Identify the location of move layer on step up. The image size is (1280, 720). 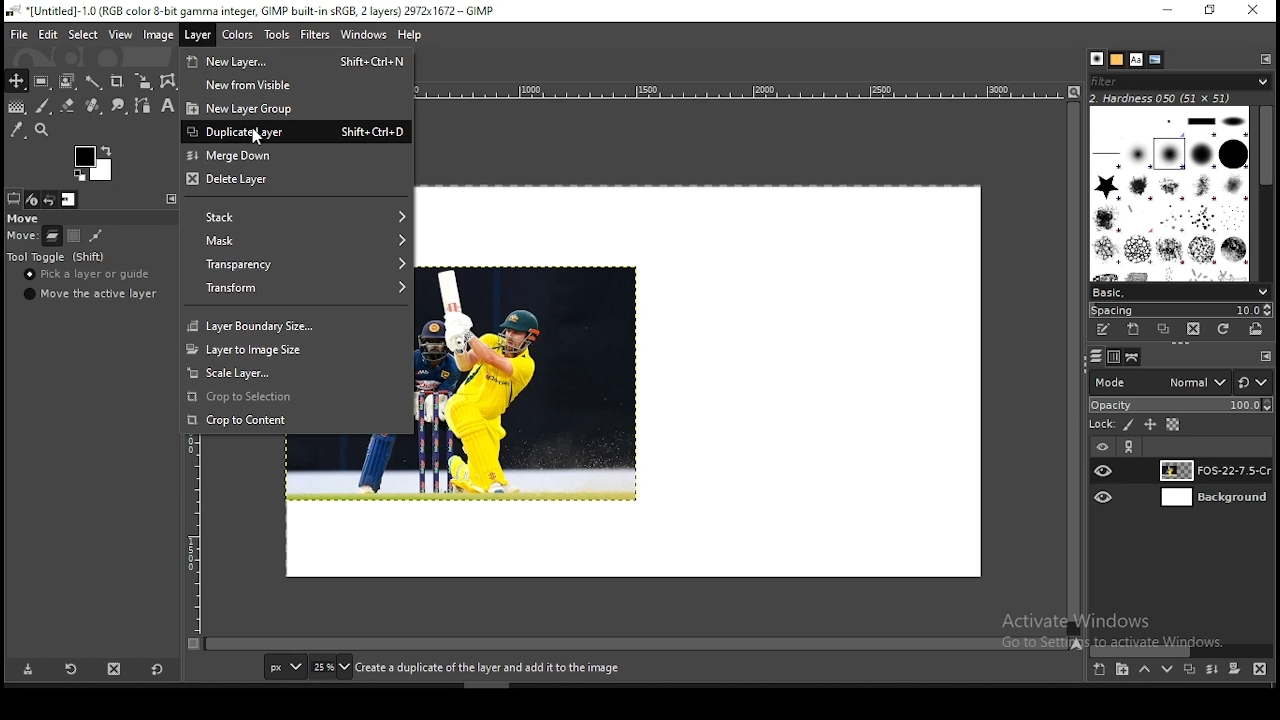
(1144, 671).